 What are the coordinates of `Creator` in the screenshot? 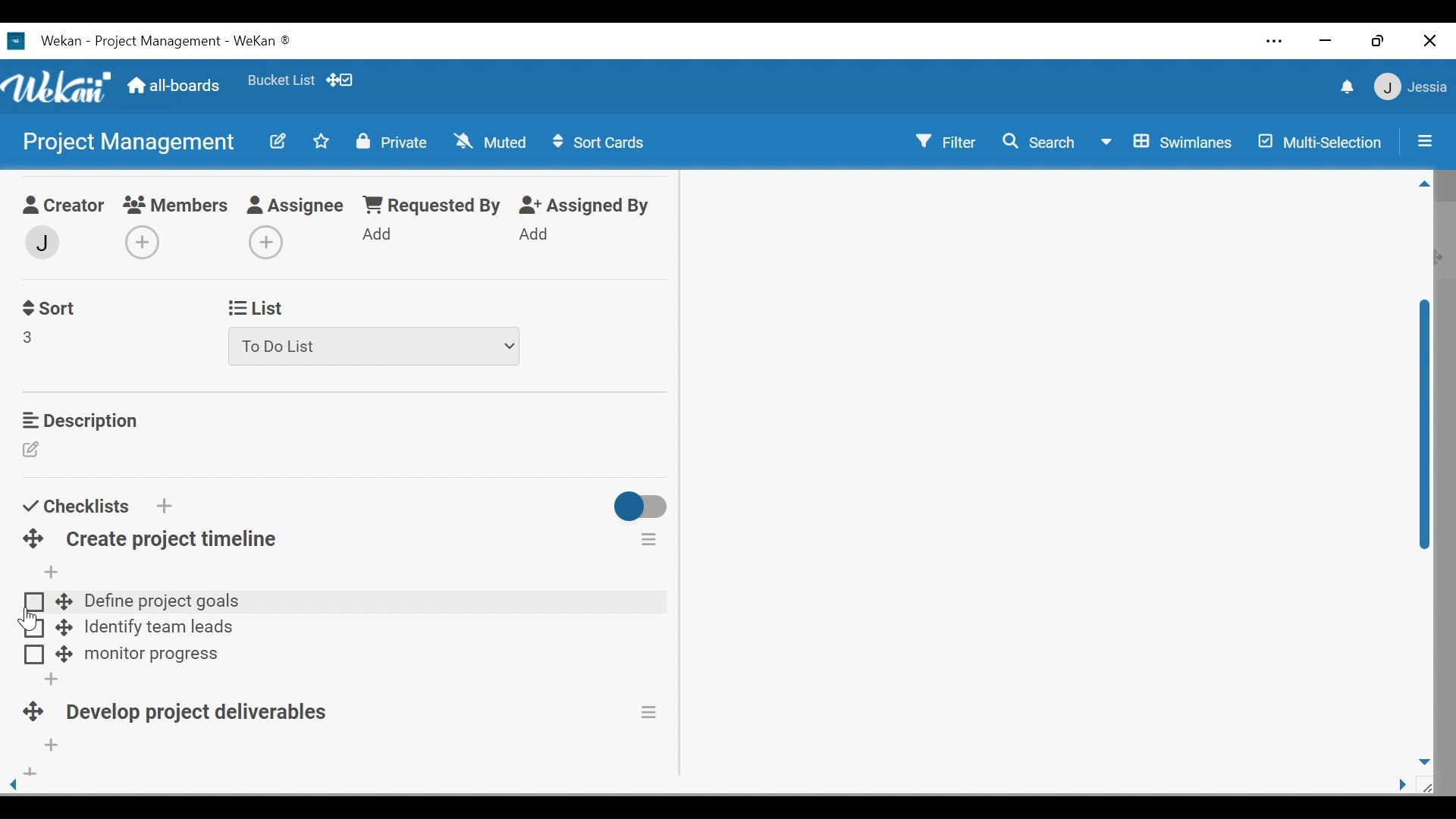 It's located at (61, 207).